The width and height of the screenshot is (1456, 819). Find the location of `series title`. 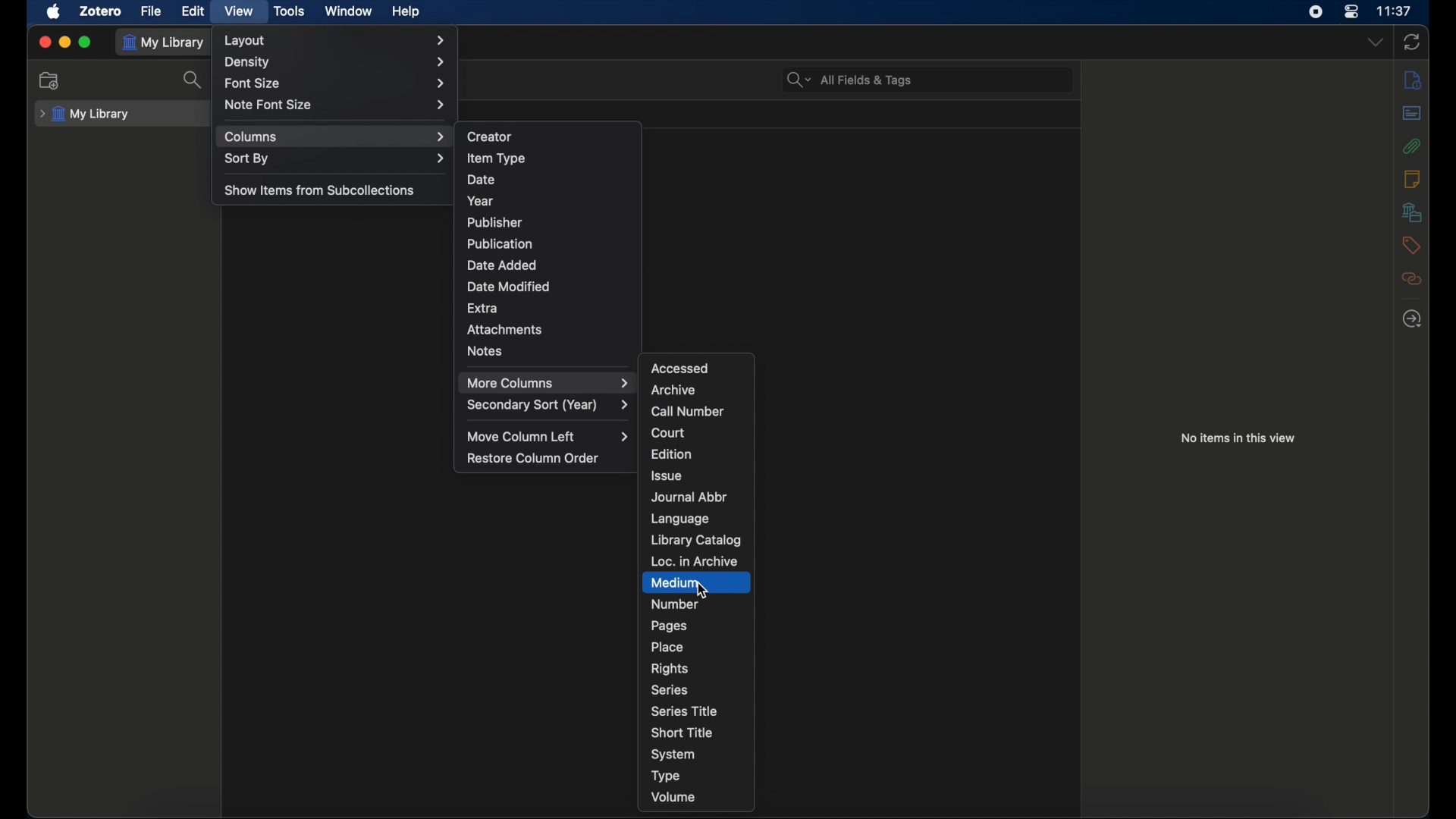

series title is located at coordinates (684, 711).